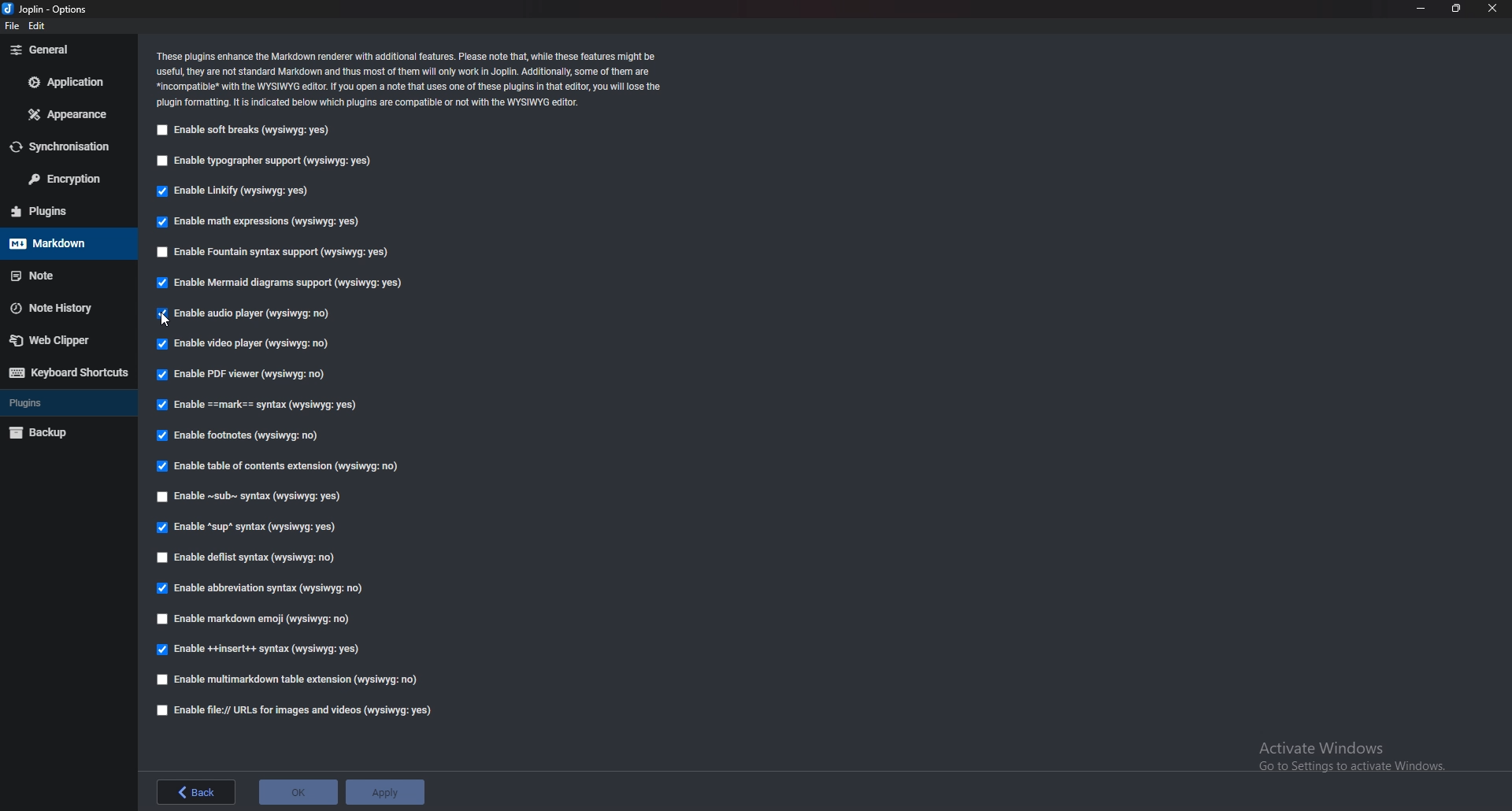 The width and height of the screenshot is (1512, 811). Describe the element at coordinates (246, 557) in the screenshot. I see `enable deflist syntax` at that location.